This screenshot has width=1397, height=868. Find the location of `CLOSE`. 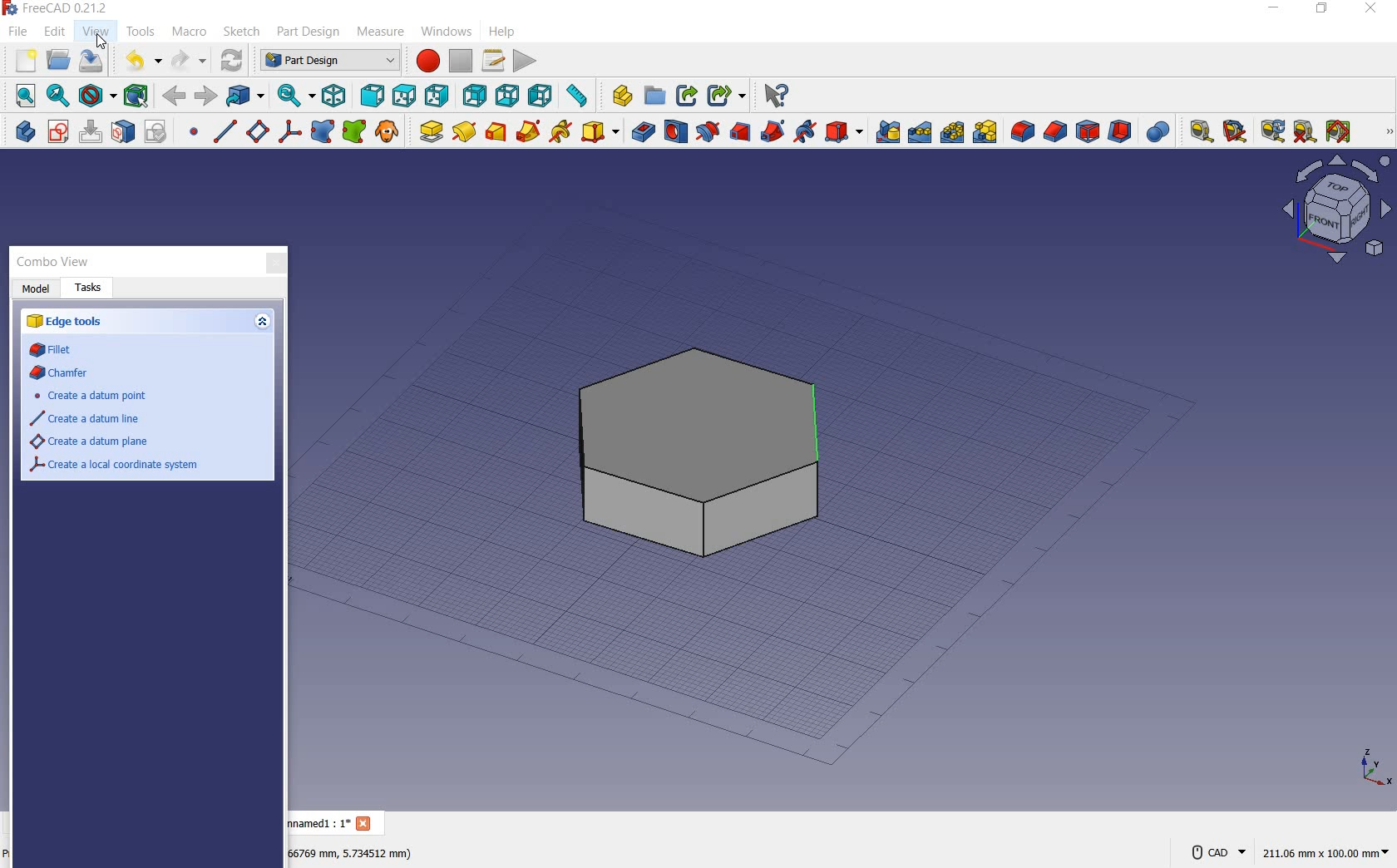

CLOSE is located at coordinates (1373, 8).